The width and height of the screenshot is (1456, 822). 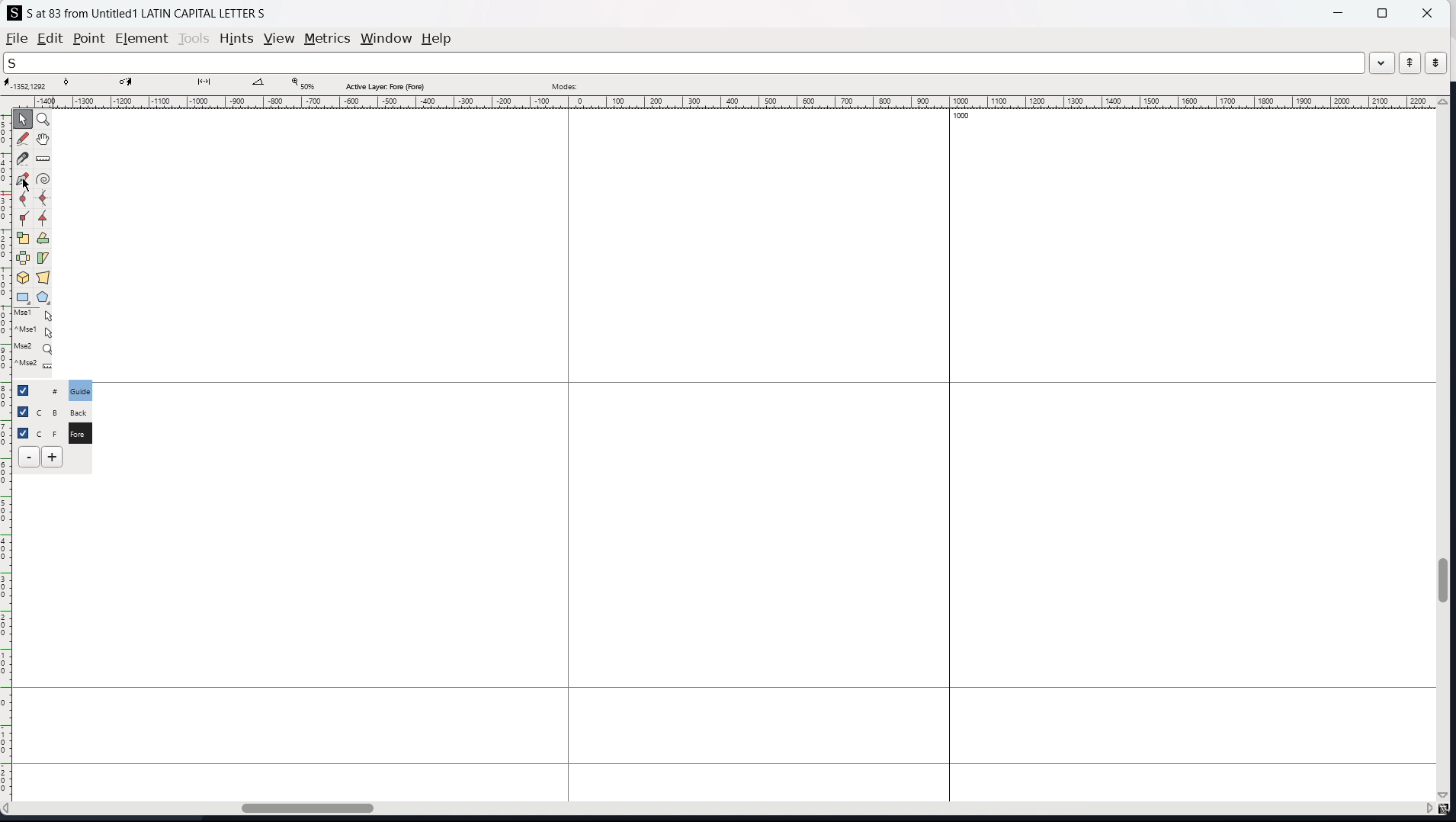 What do you see at coordinates (1382, 62) in the screenshot?
I see `drop down` at bounding box center [1382, 62].